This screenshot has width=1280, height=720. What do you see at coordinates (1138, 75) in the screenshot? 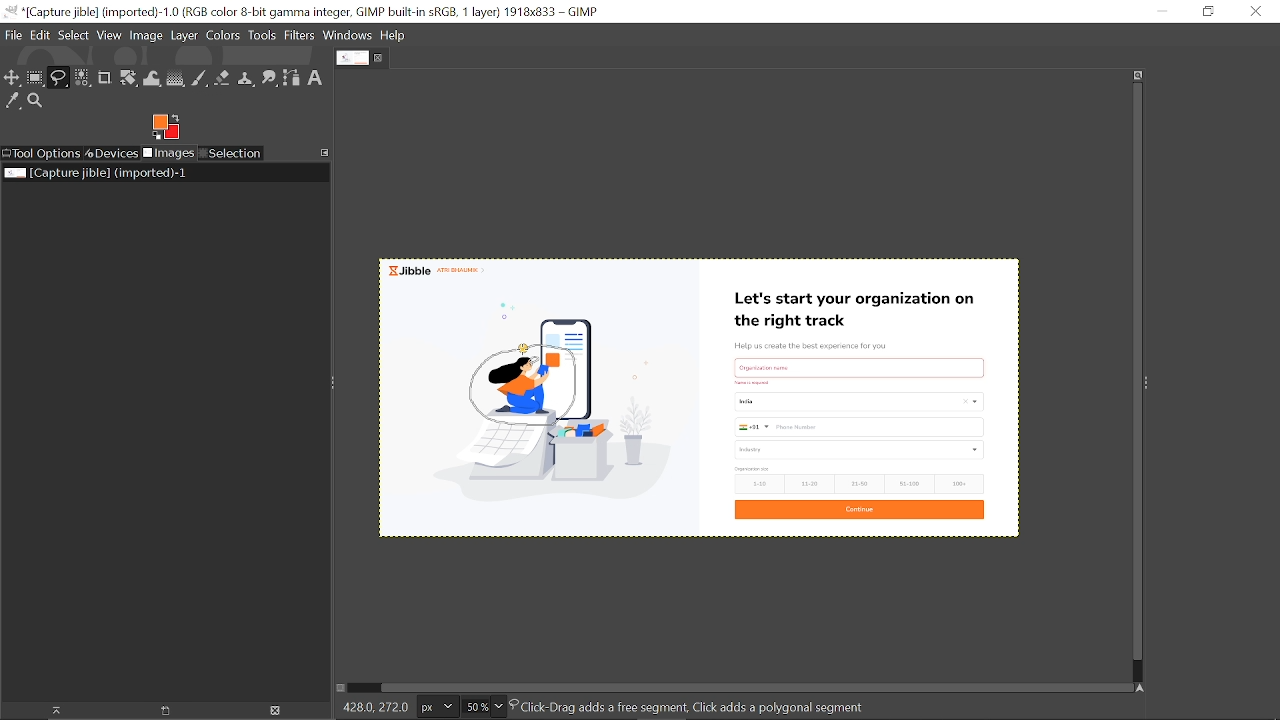
I see `Zoom when widow size changes` at bounding box center [1138, 75].